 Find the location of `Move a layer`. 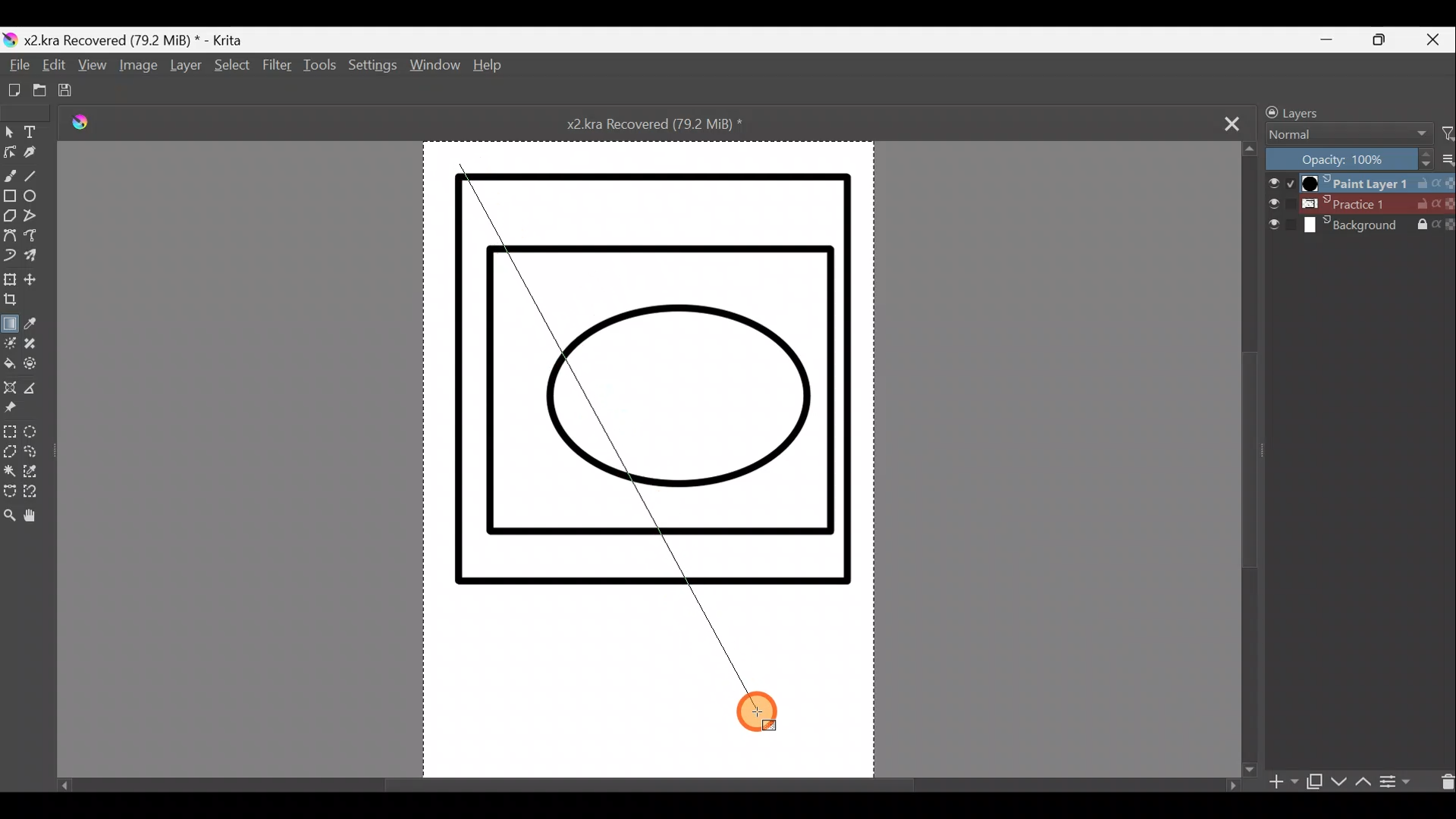

Move a layer is located at coordinates (38, 279).